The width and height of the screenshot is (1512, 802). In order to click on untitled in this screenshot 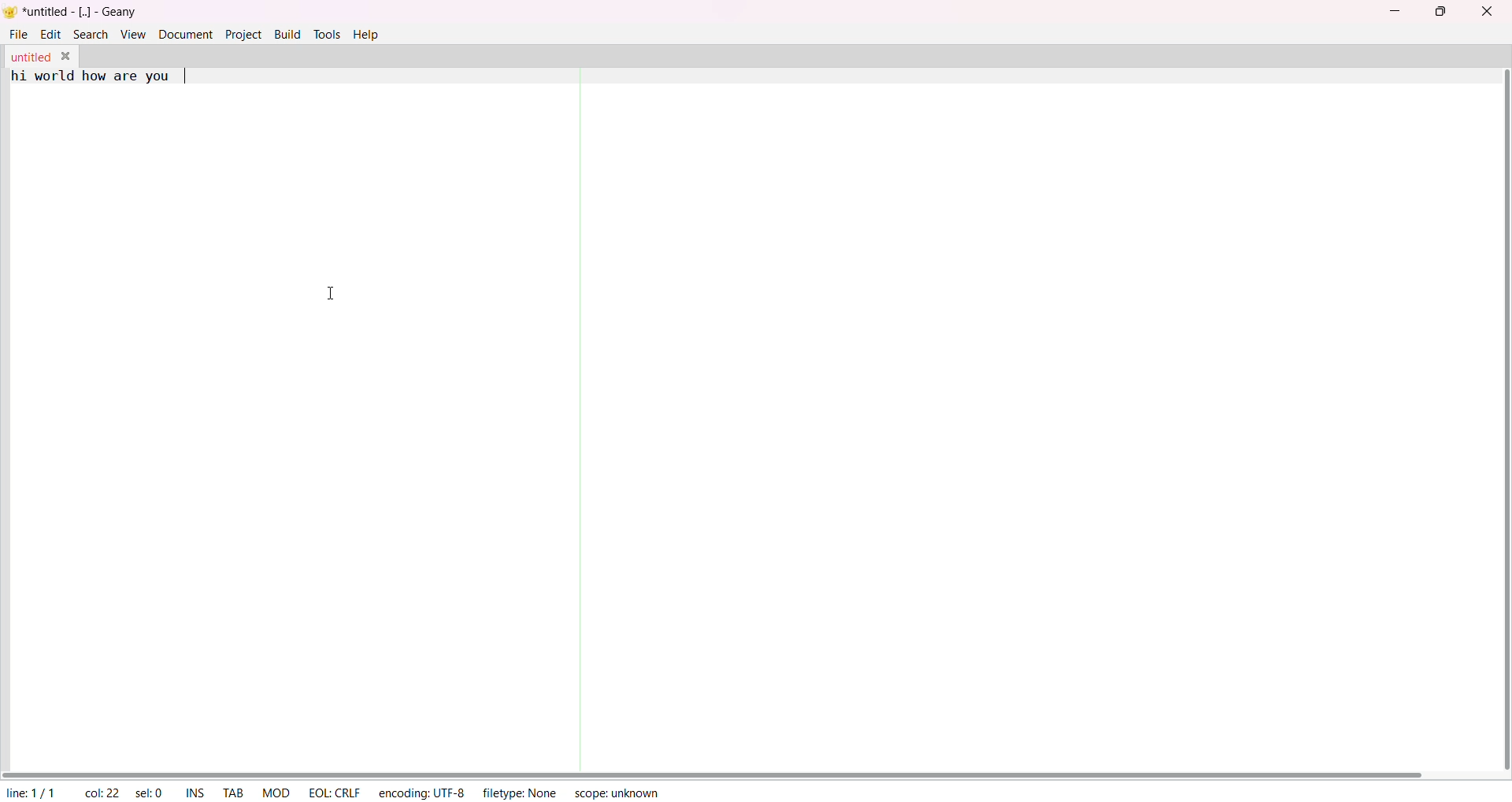, I will do `click(29, 54)`.